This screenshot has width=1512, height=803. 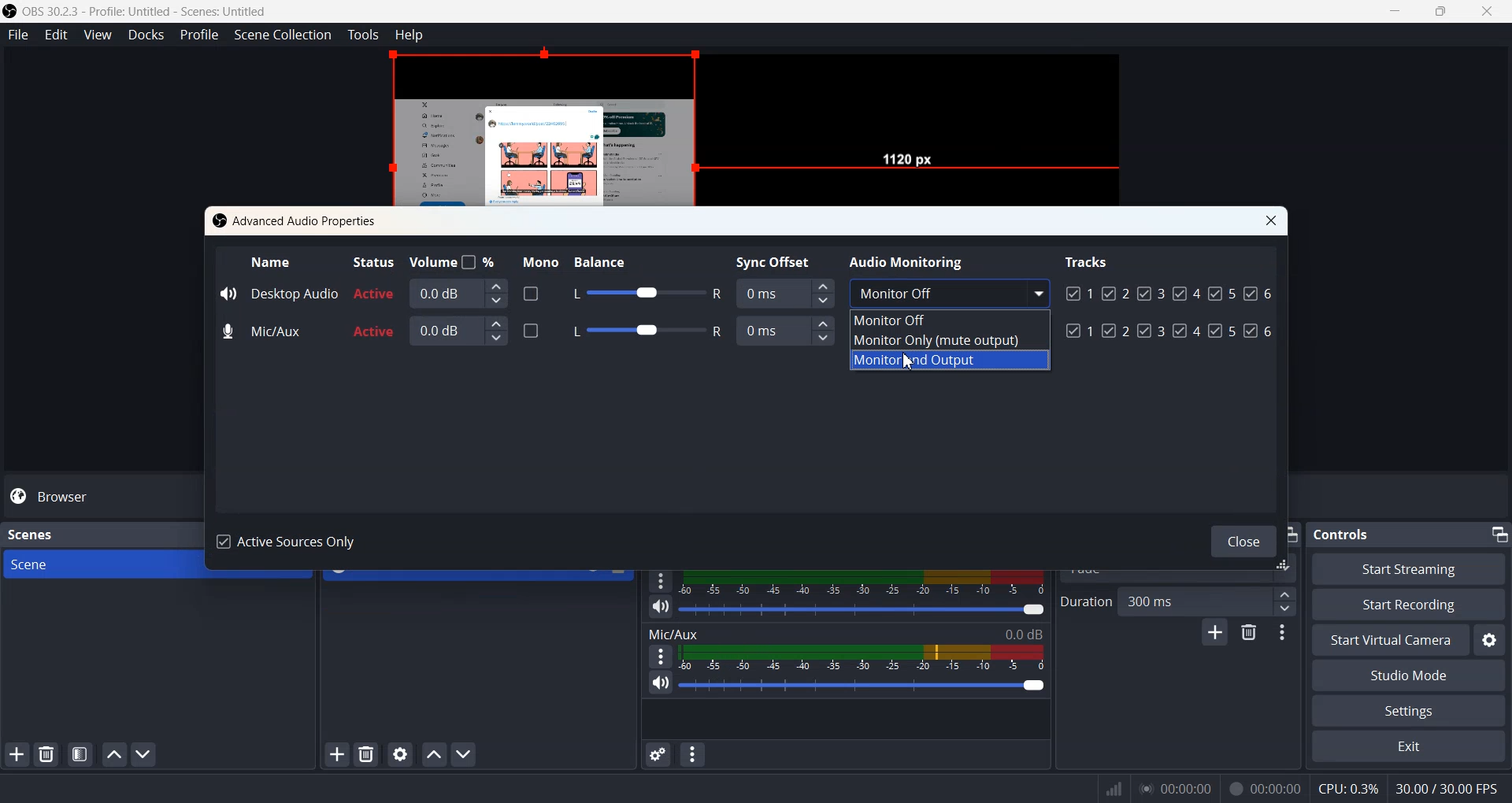 What do you see at coordinates (113, 754) in the screenshot?
I see `Move scene up` at bounding box center [113, 754].